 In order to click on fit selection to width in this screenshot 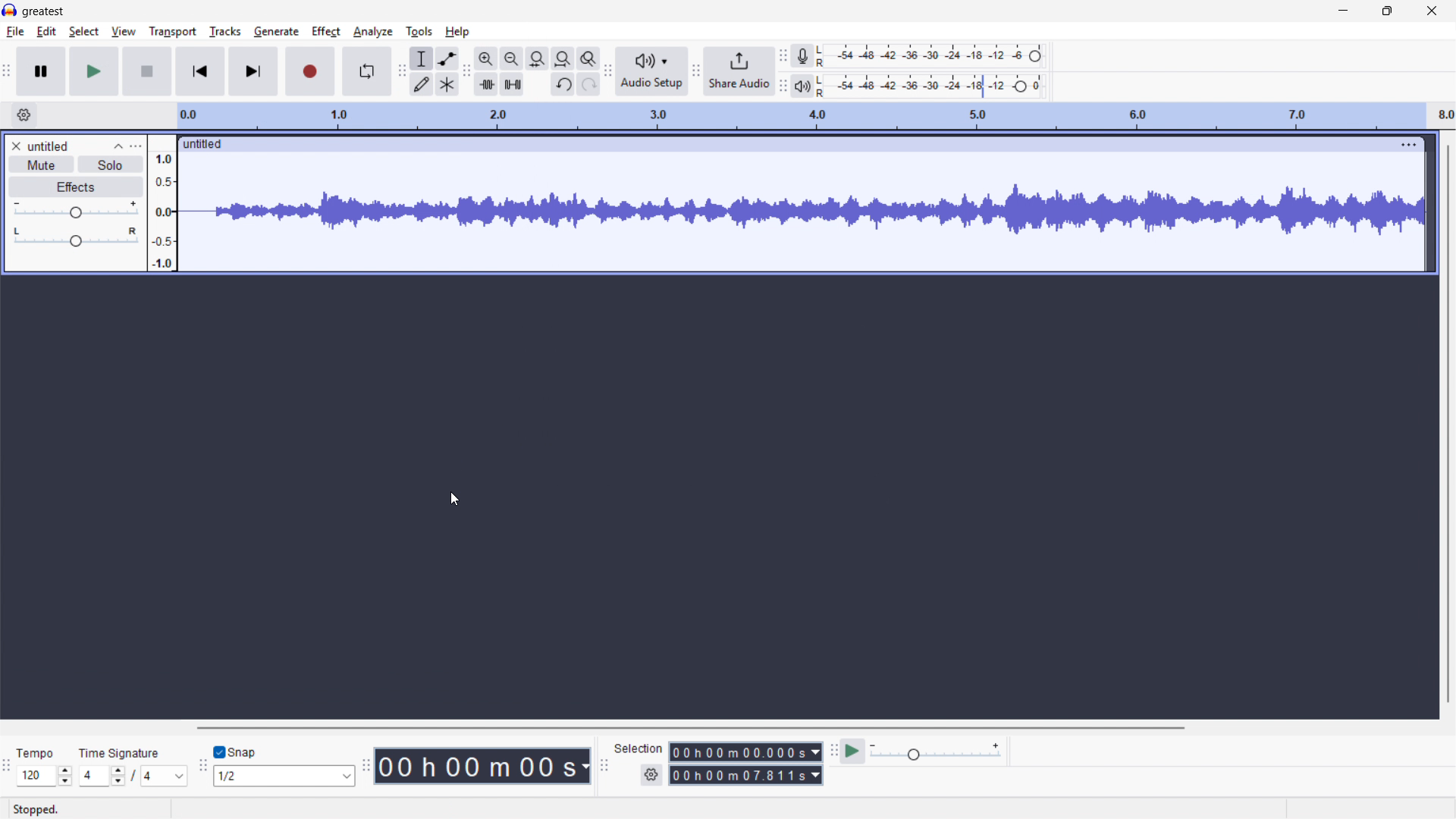, I will do `click(537, 59)`.